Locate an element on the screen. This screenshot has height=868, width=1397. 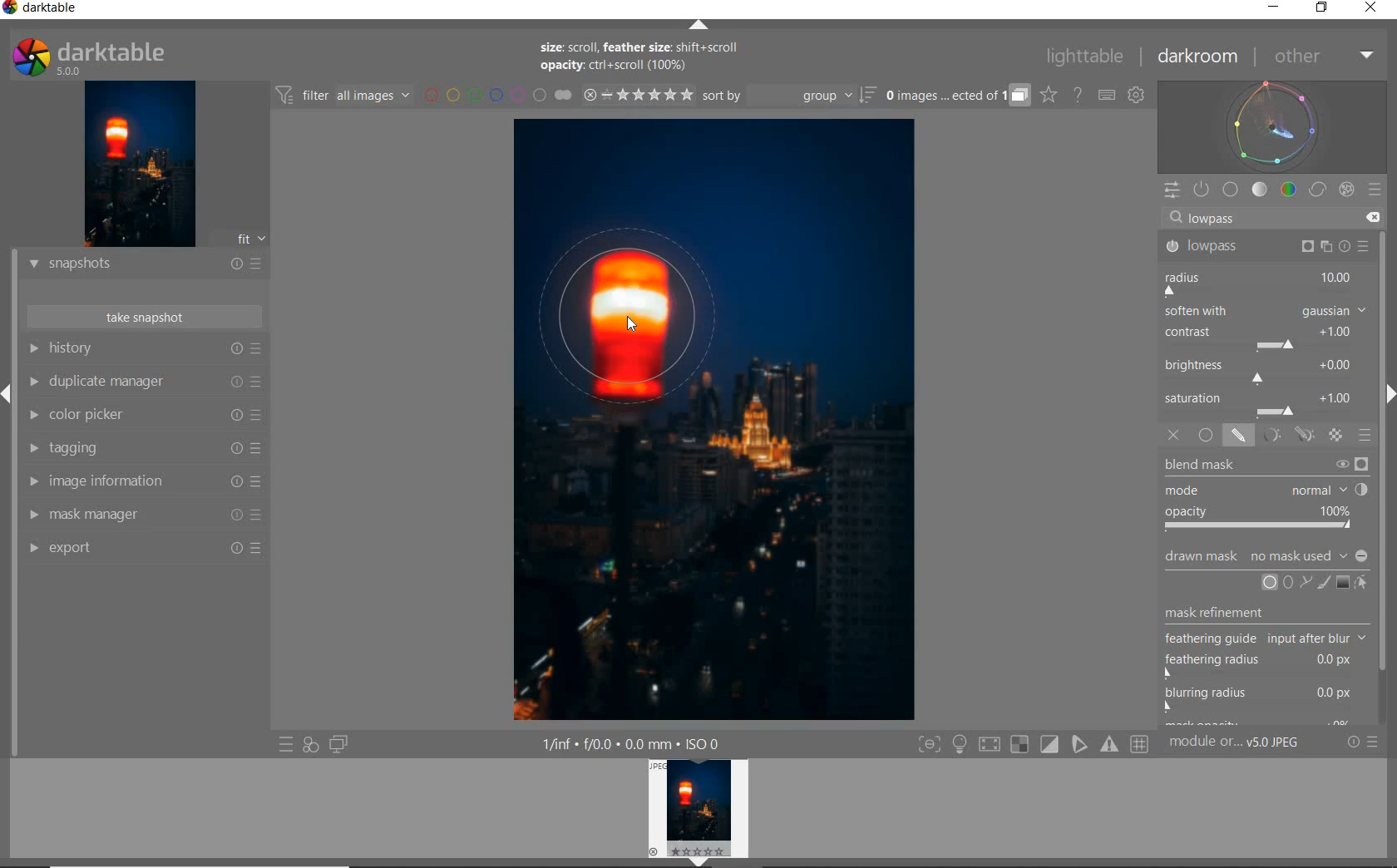
DELETE is located at coordinates (1375, 219).